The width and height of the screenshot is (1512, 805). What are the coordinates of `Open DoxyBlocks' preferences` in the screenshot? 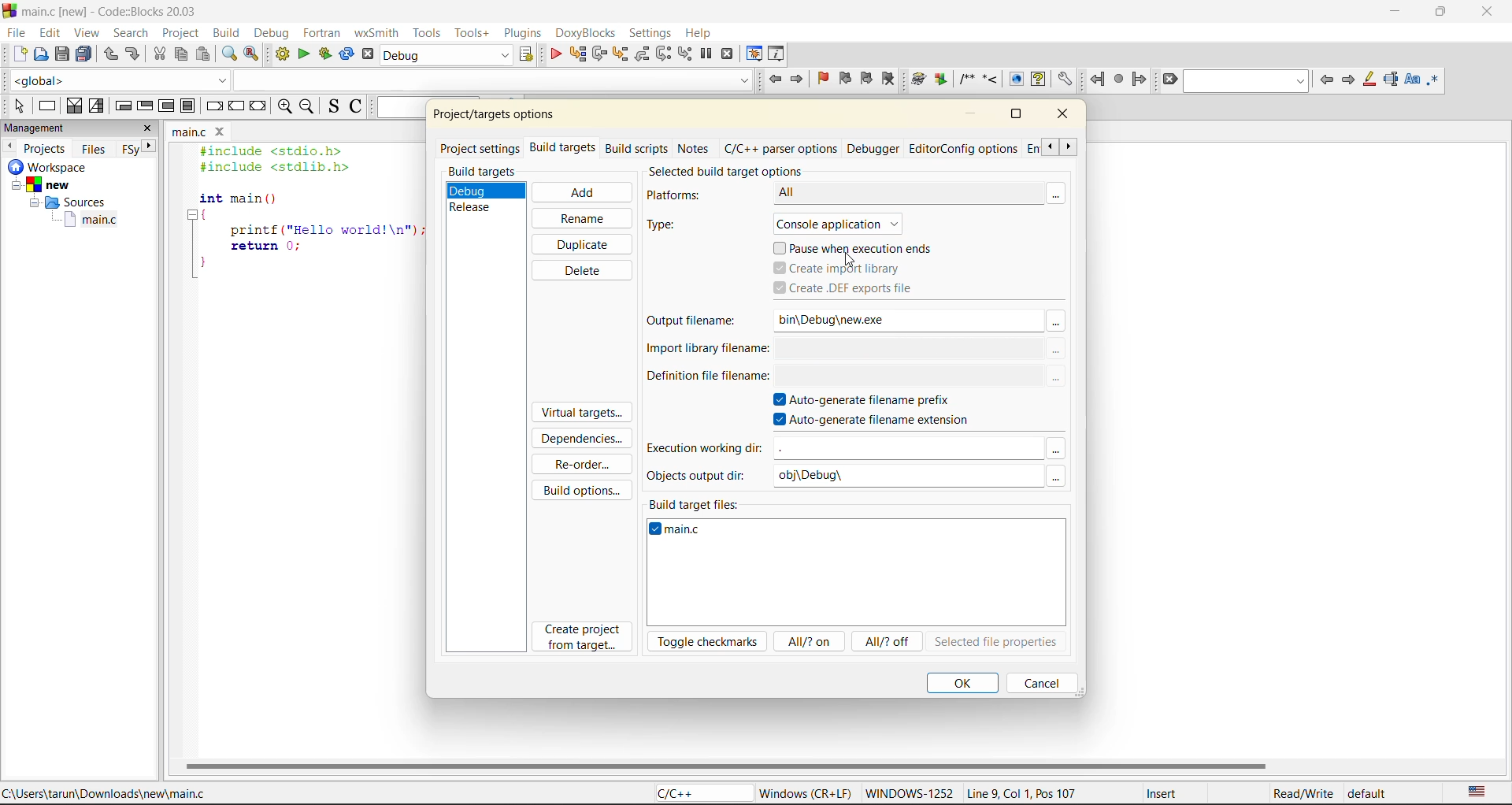 It's located at (1063, 80).